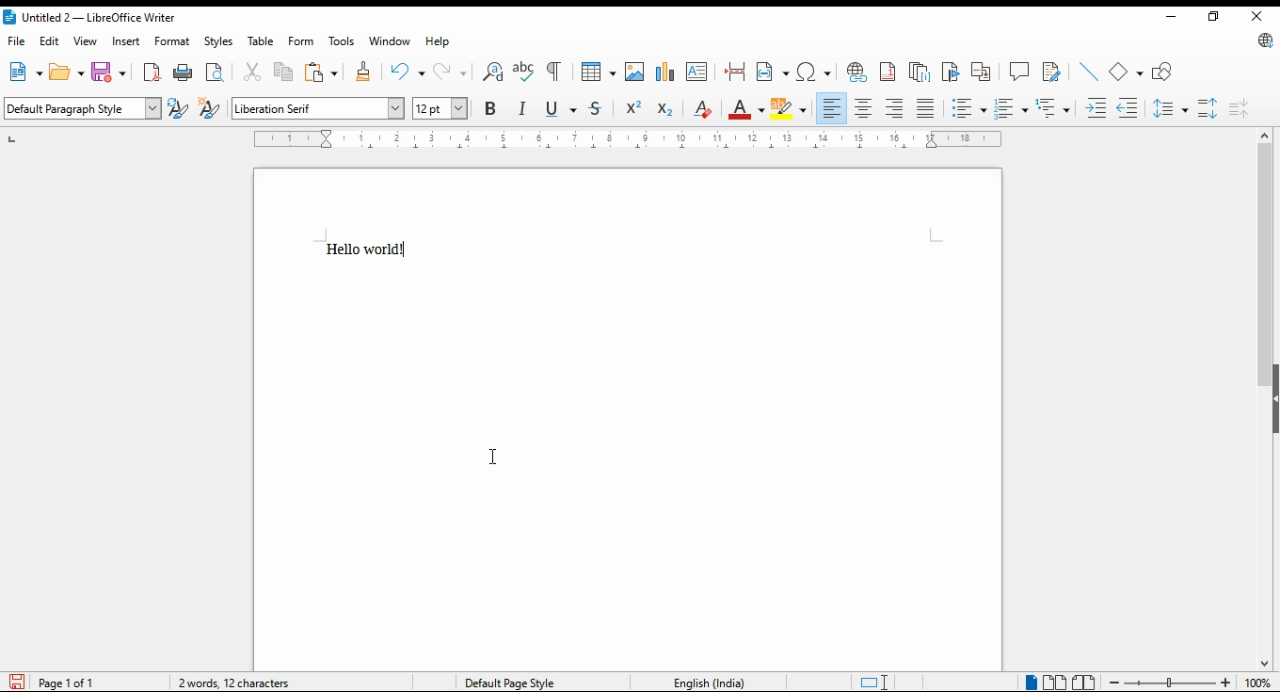 The width and height of the screenshot is (1280, 692). Describe the element at coordinates (669, 108) in the screenshot. I see `subscript` at that location.